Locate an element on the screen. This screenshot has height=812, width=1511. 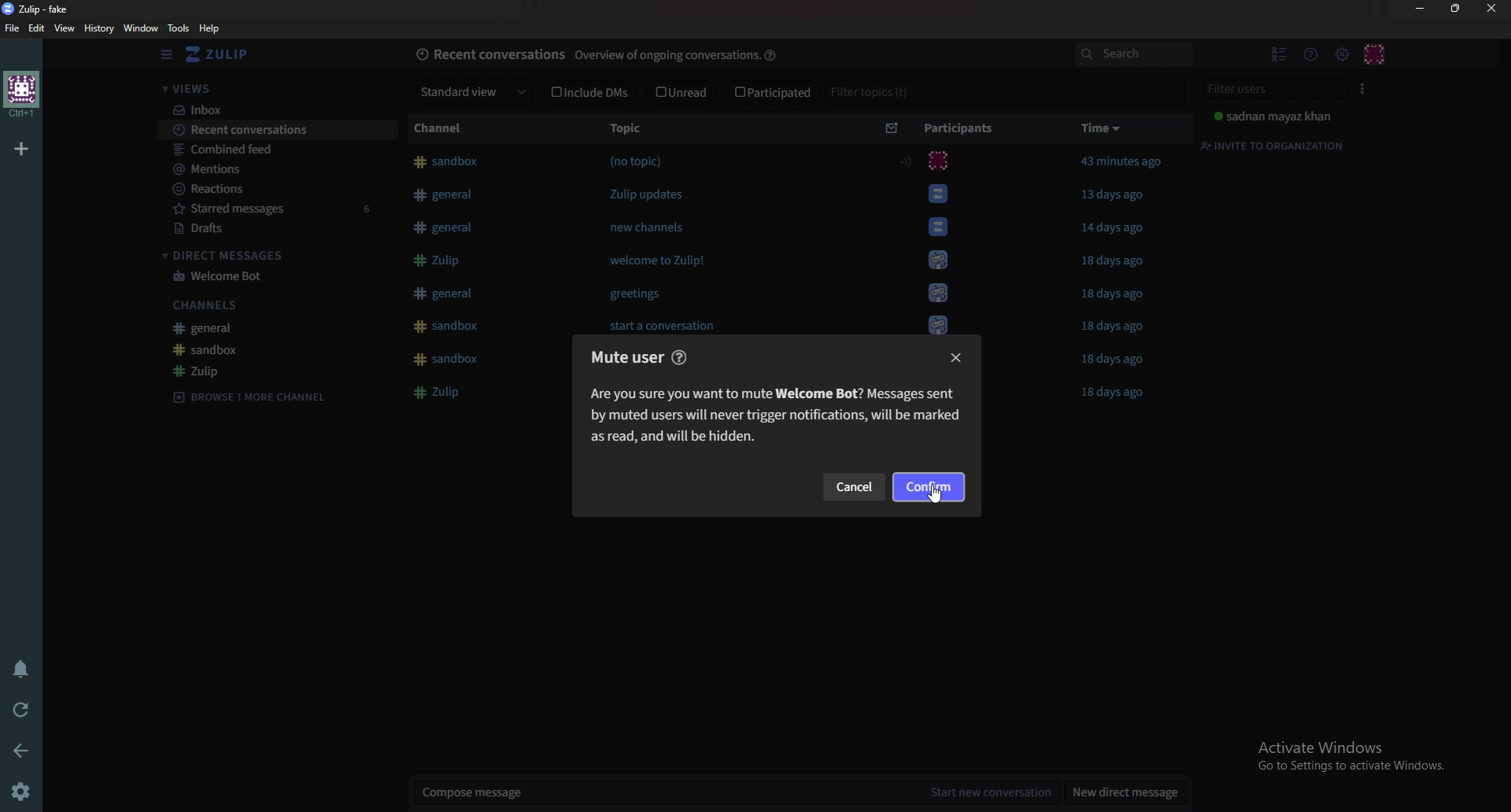
Sort by unread message count is located at coordinates (892, 129).